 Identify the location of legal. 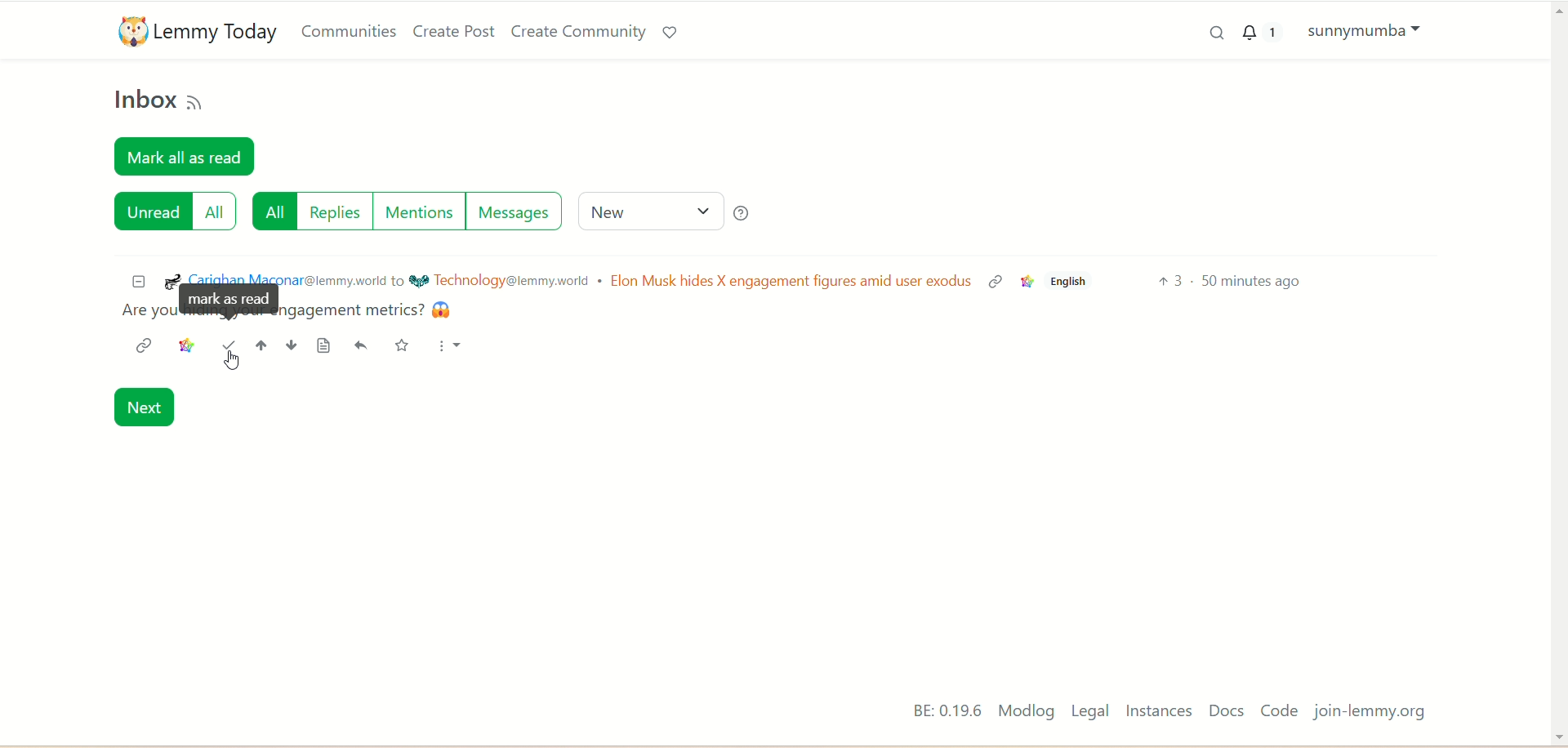
(1090, 711).